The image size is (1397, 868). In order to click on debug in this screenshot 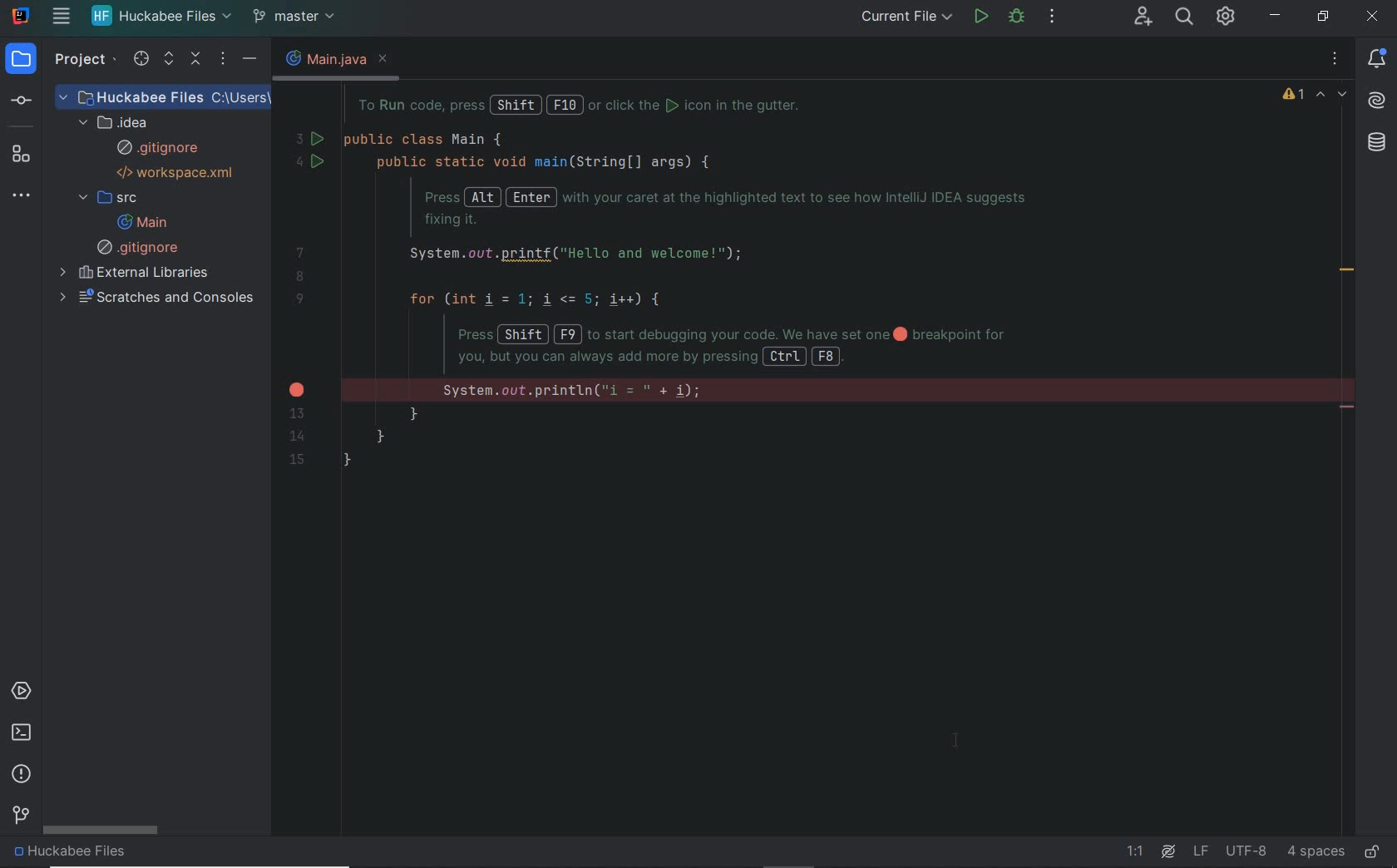, I will do `click(1017, 18)`.